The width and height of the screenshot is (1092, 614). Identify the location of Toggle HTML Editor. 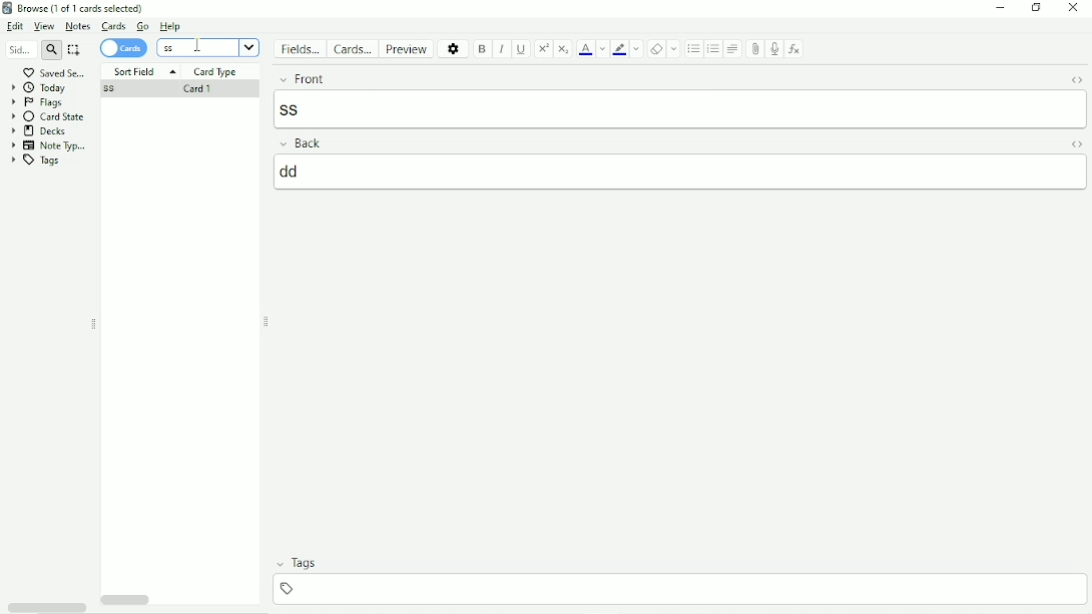
(1076, 145).